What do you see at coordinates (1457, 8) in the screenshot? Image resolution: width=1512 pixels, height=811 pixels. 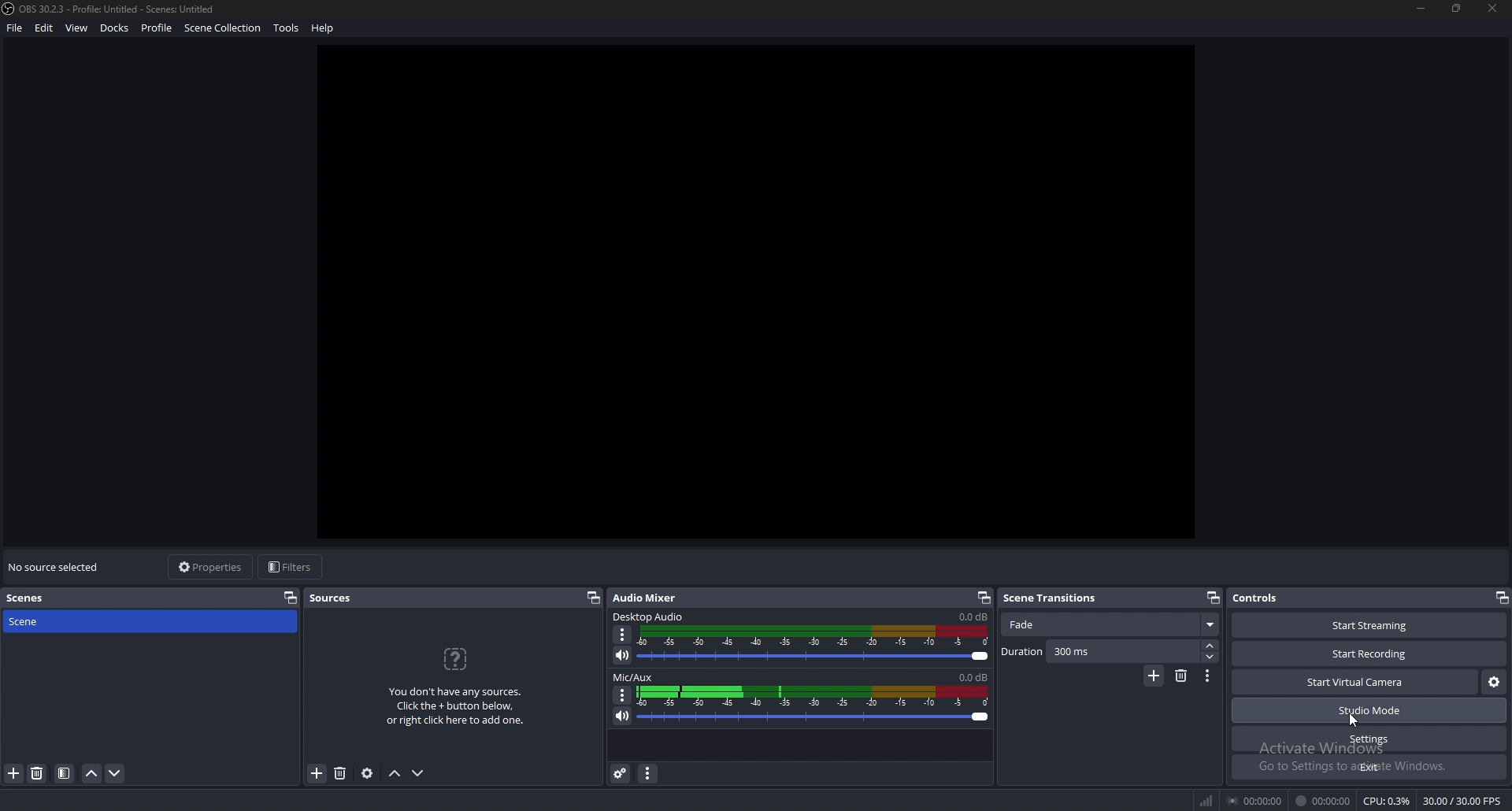 I see `resize` at bounding box center [1457, 8].